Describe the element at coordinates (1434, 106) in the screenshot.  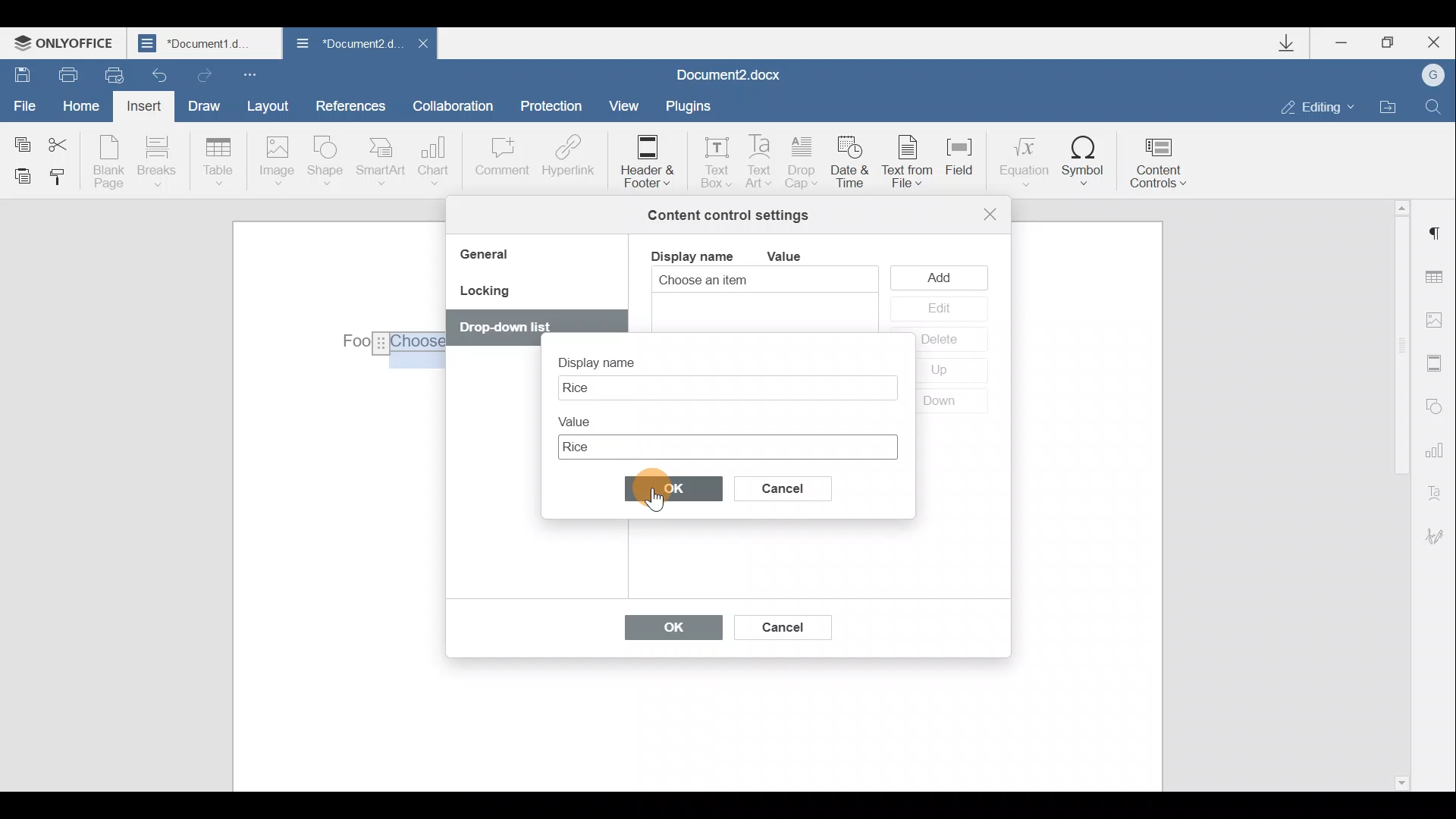
I see `Find` at that location.